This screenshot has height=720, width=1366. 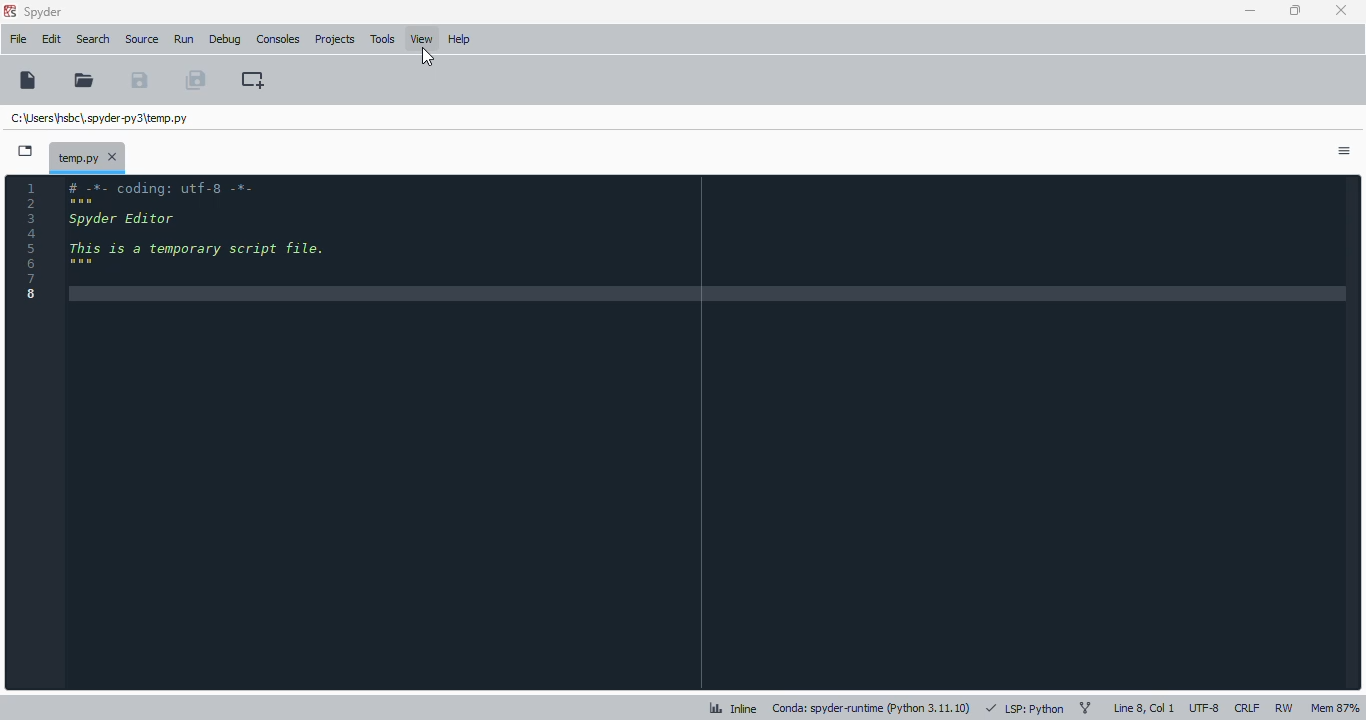 I want to click on consoles, so click(x=278, y=40).